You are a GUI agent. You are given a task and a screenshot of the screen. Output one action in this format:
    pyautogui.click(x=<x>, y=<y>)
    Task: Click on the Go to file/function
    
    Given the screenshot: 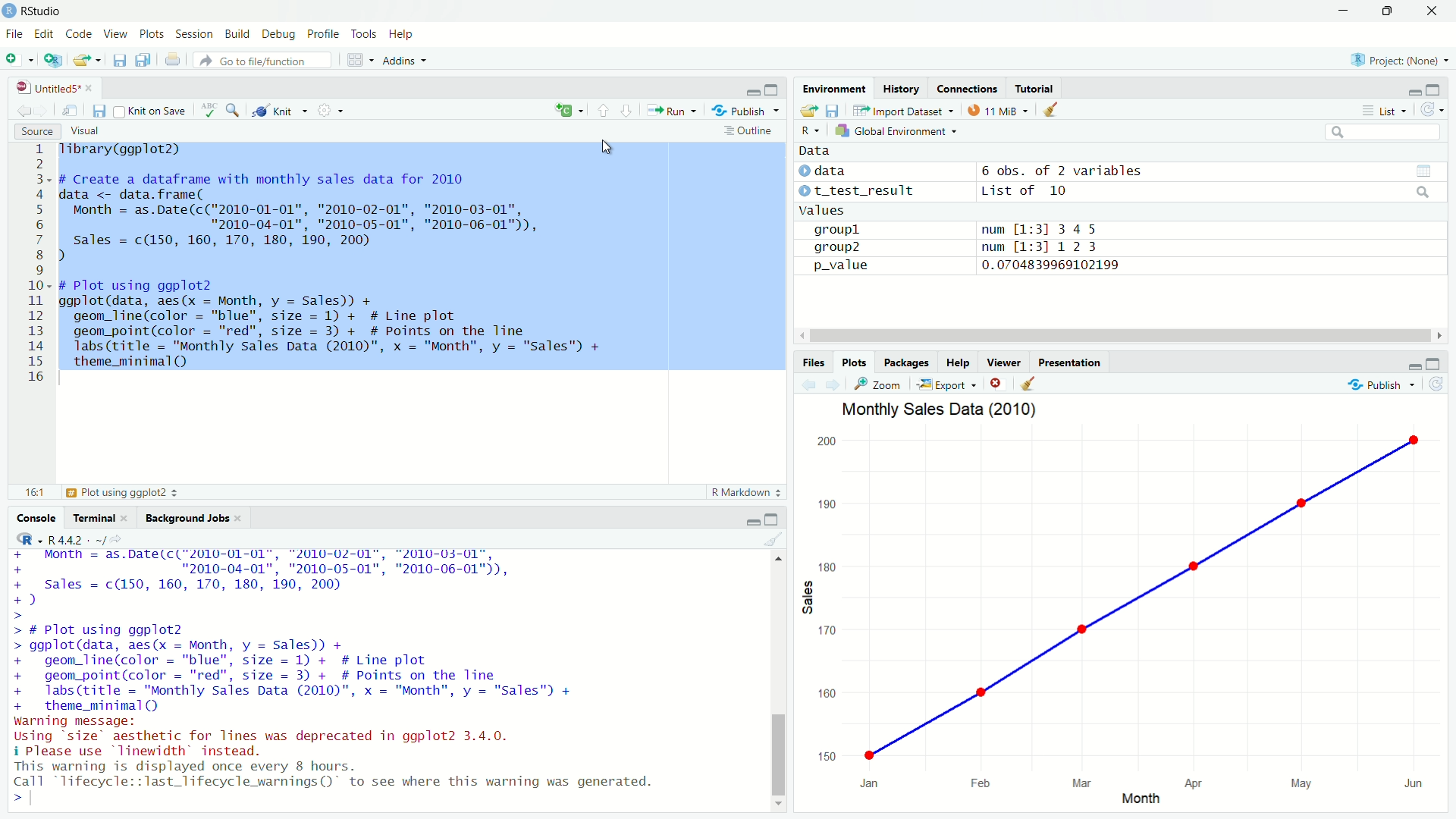 What is the action you would take?
    pyautogui.click(x=267, y=59)
    